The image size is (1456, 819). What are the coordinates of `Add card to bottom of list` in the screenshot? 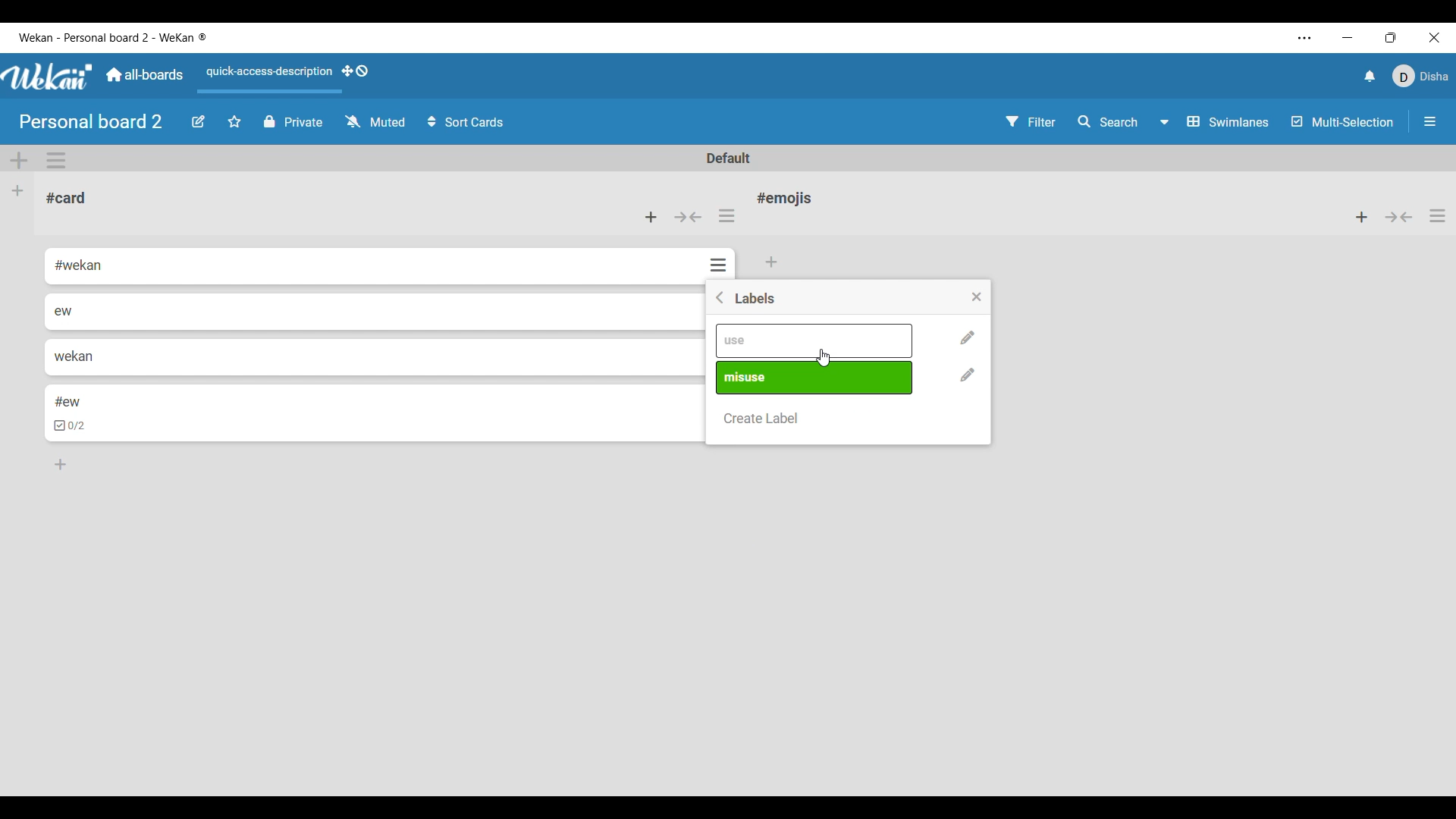 It's located at (61, 464).